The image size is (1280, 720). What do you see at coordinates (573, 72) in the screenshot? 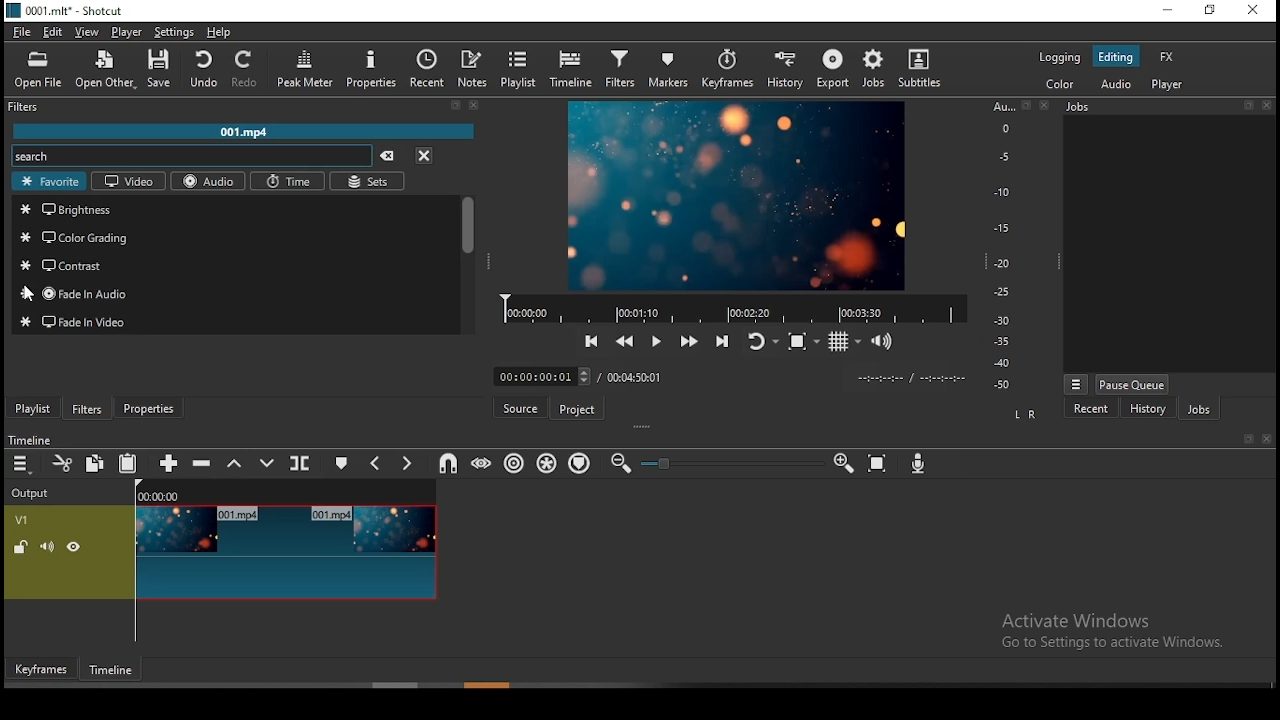
I see `timeline` at bounding box center [573, 72].